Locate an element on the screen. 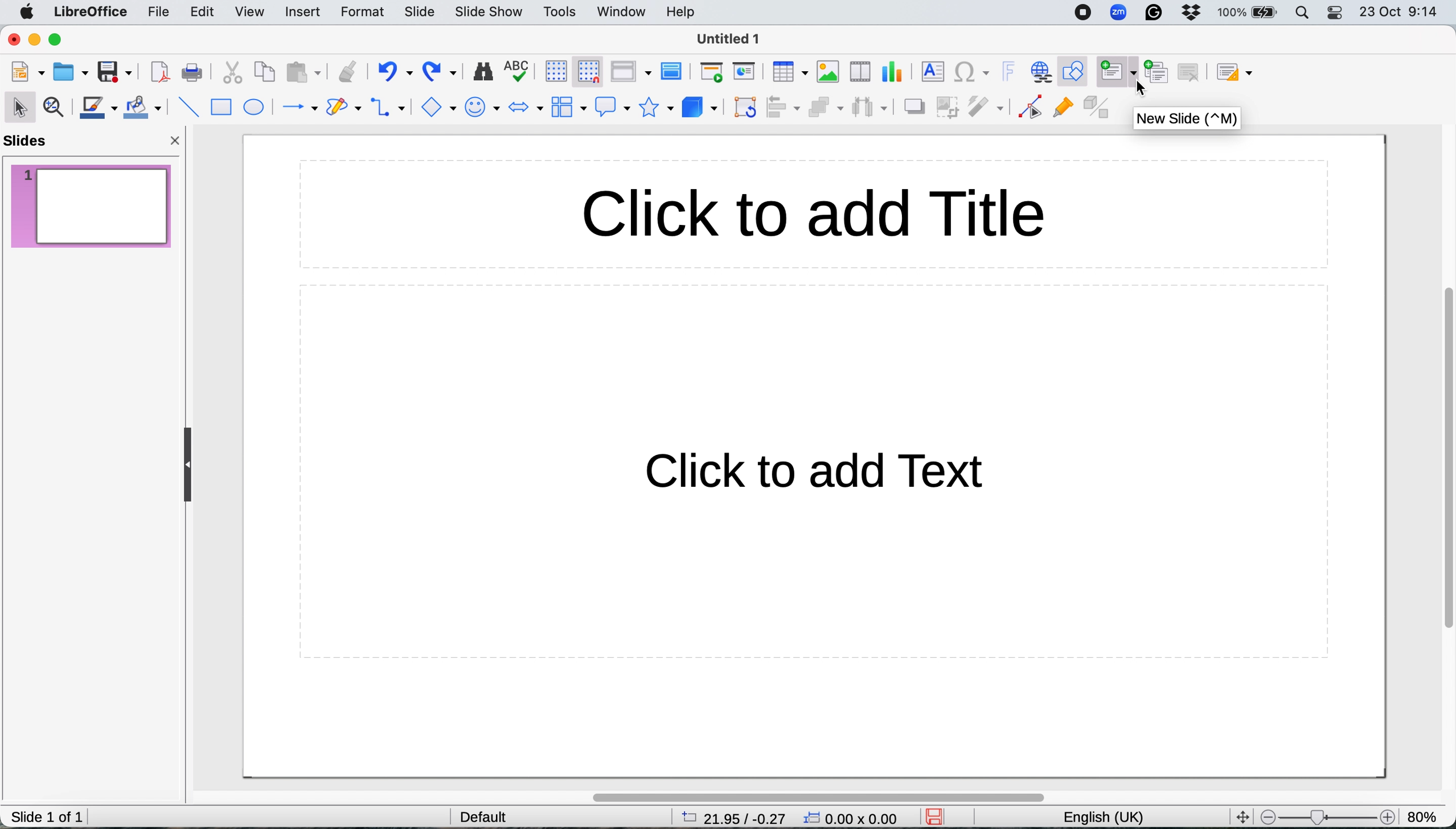 The height and width of the screenshot is (829, 1456). crop image is located at coordinates (948, 107).